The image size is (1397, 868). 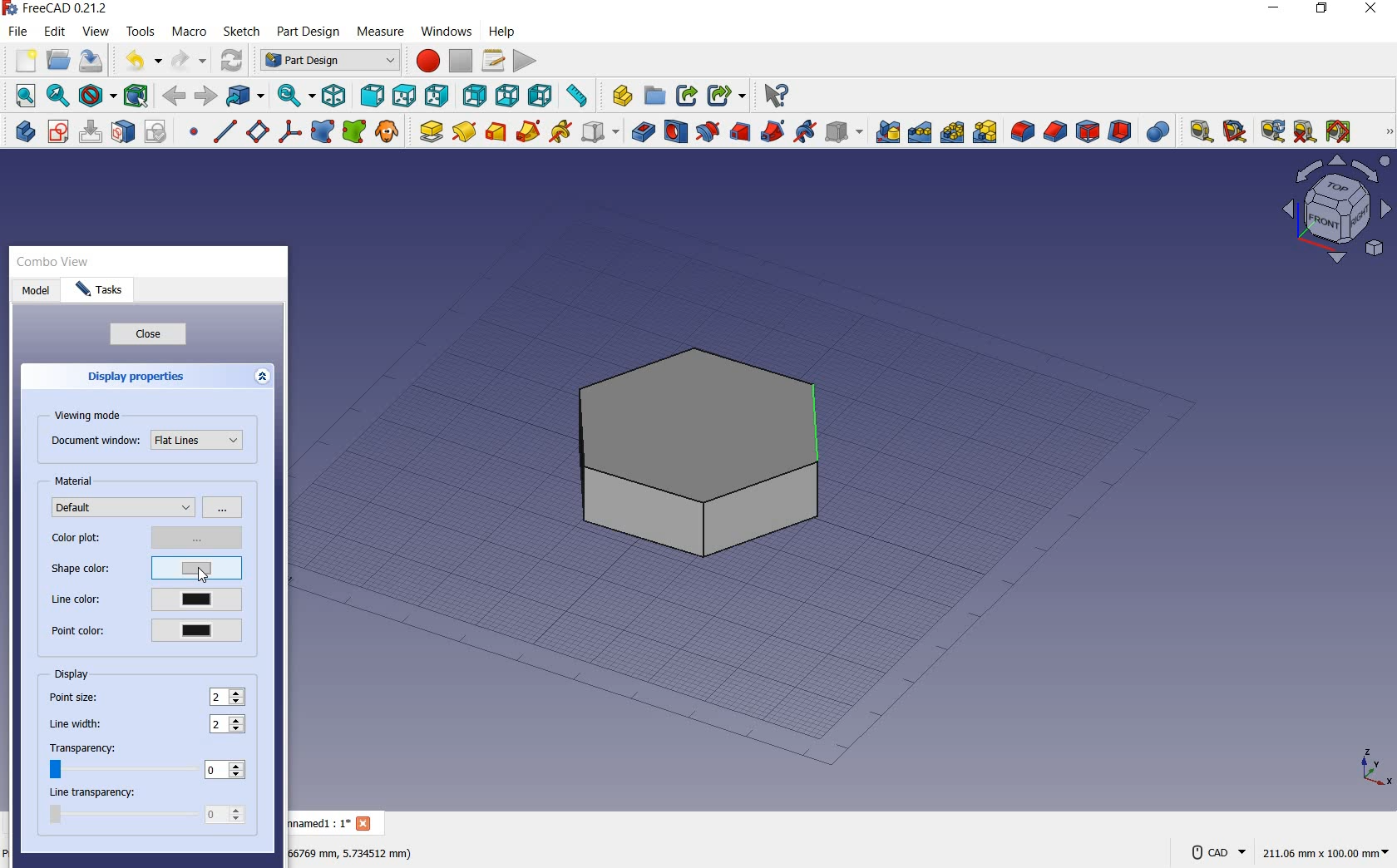 I want to click on Close, so click(x=366, y=825).